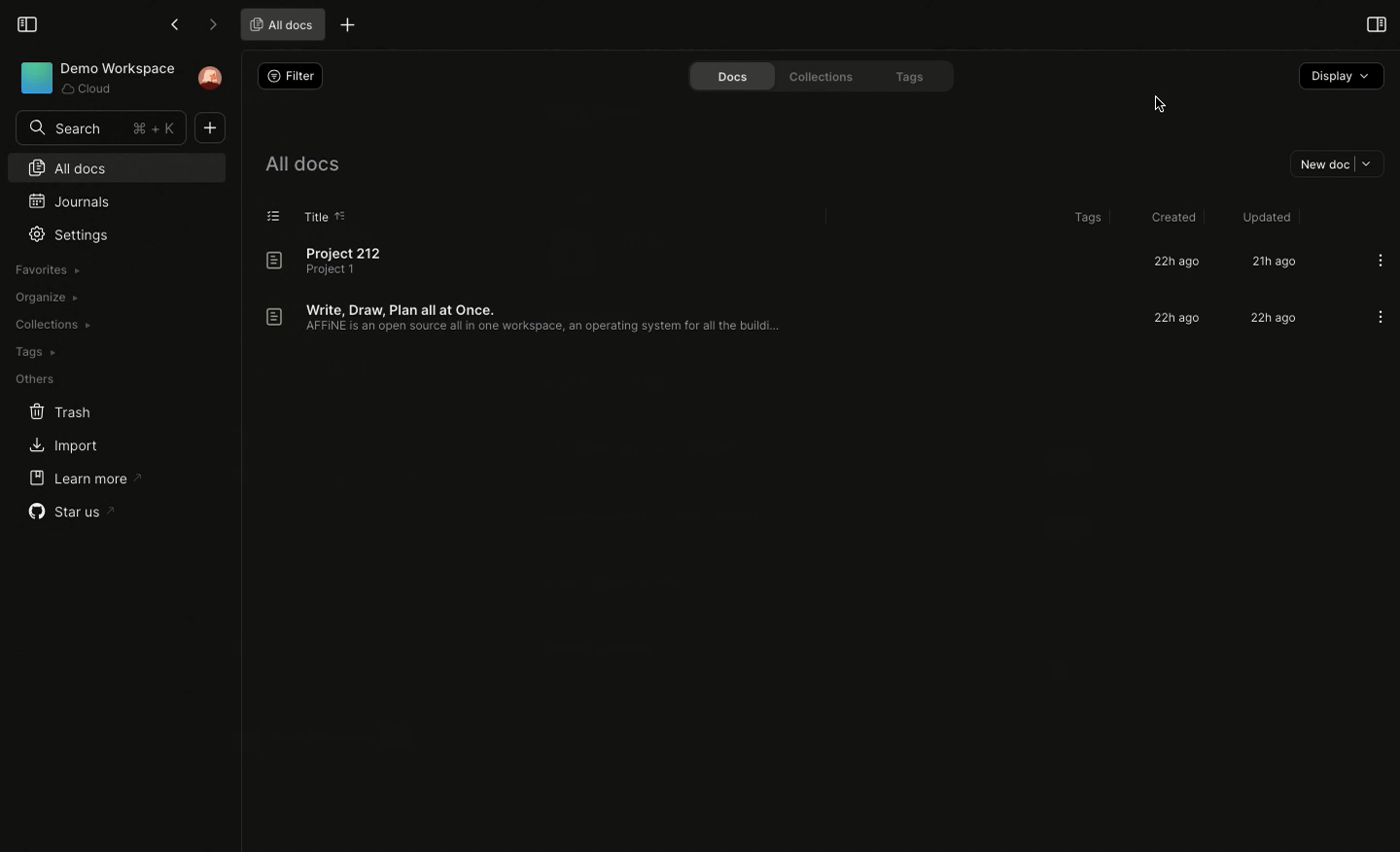  Describe the element at coordinates (44, 296) in the screenshot. I see `Organize` at that location.